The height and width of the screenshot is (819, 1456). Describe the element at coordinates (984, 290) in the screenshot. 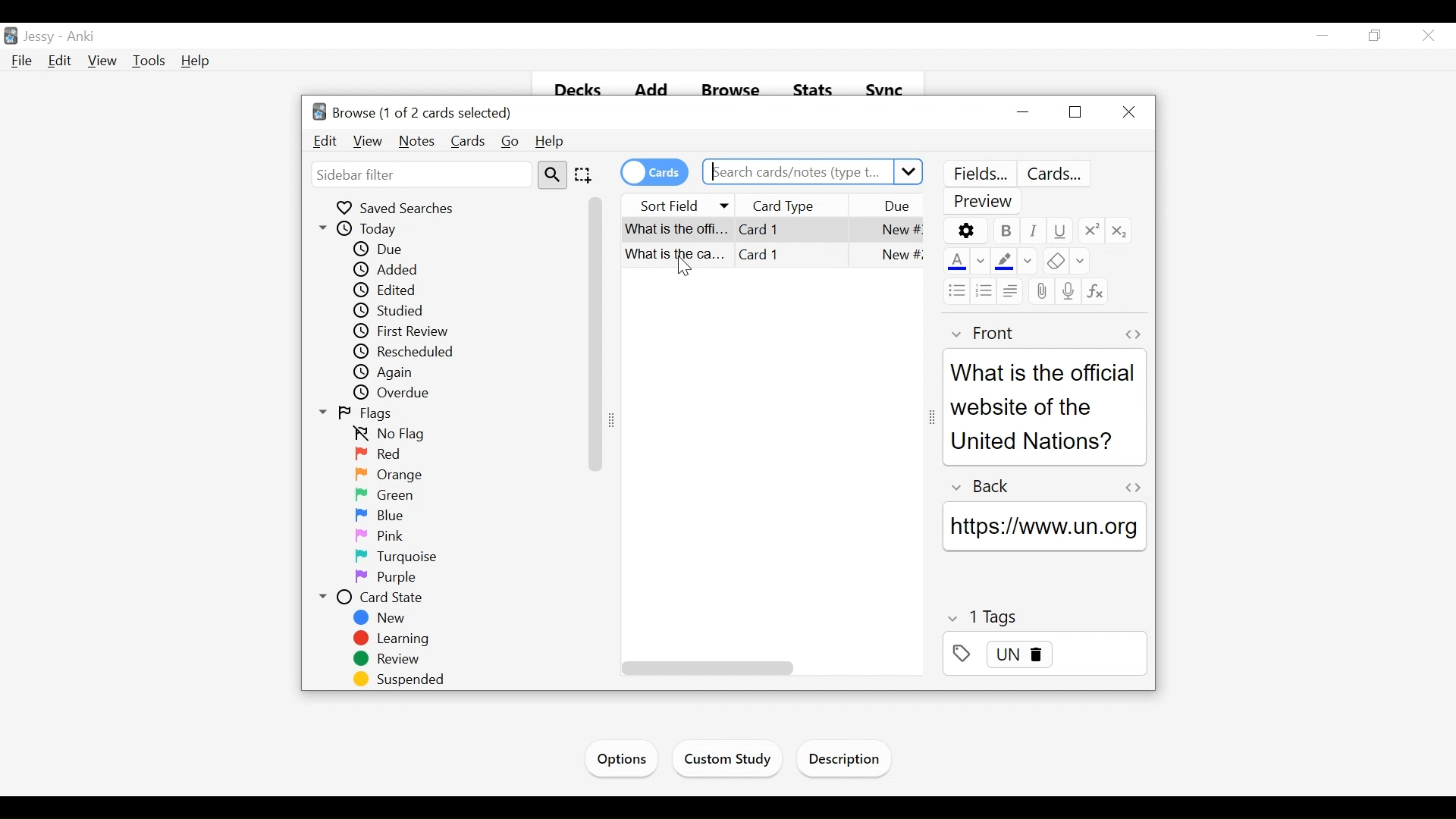

I see `Ordered list` at that location.